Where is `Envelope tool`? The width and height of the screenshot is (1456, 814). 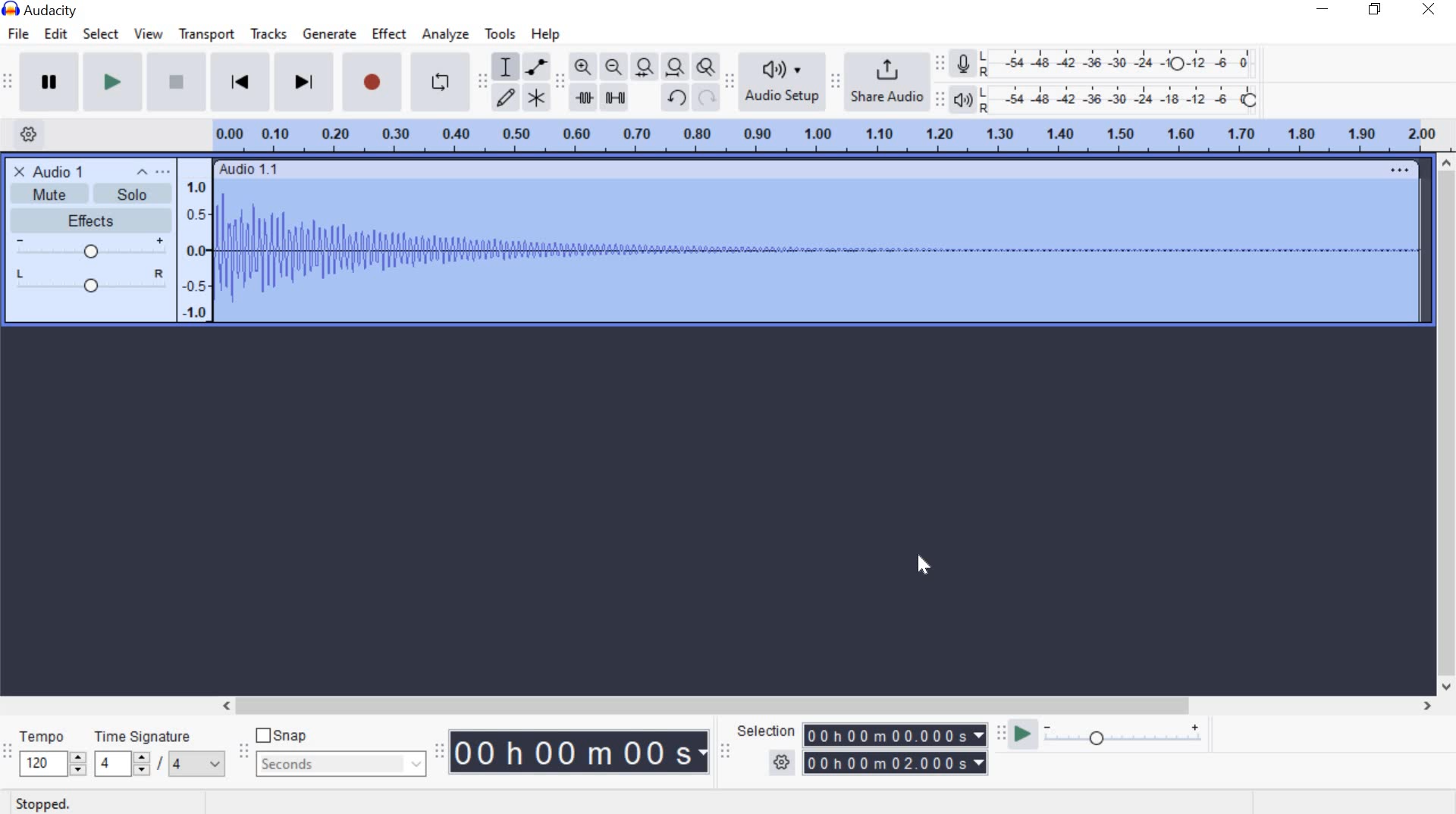
Envelope tool is located at coordinates (534, 67).